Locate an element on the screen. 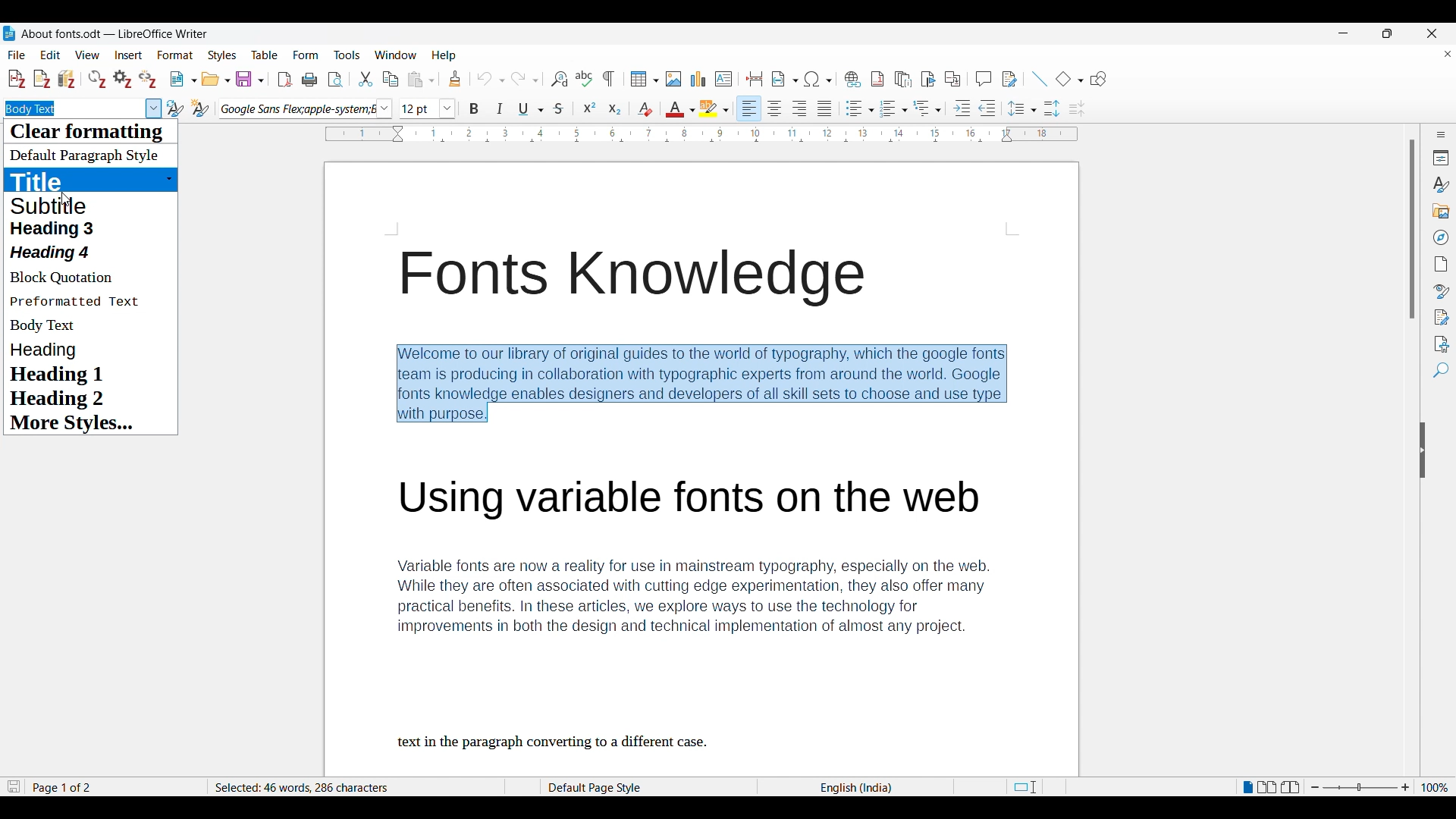 This screenshot has height=819, width=1456. Highlighted by cursor is located at coordinates (153, 108).